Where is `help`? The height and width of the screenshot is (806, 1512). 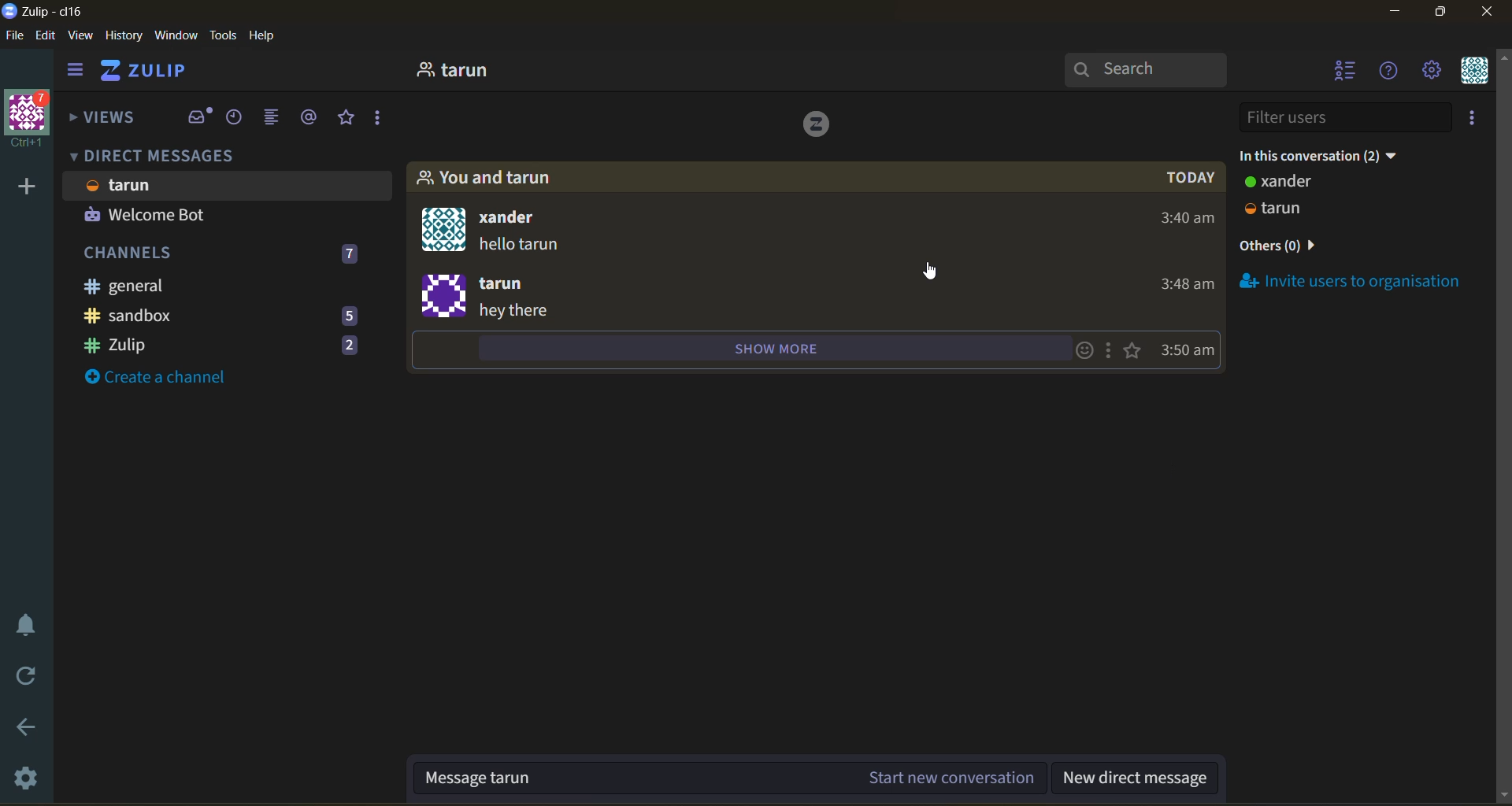 help is located at coordinates (268, 38).